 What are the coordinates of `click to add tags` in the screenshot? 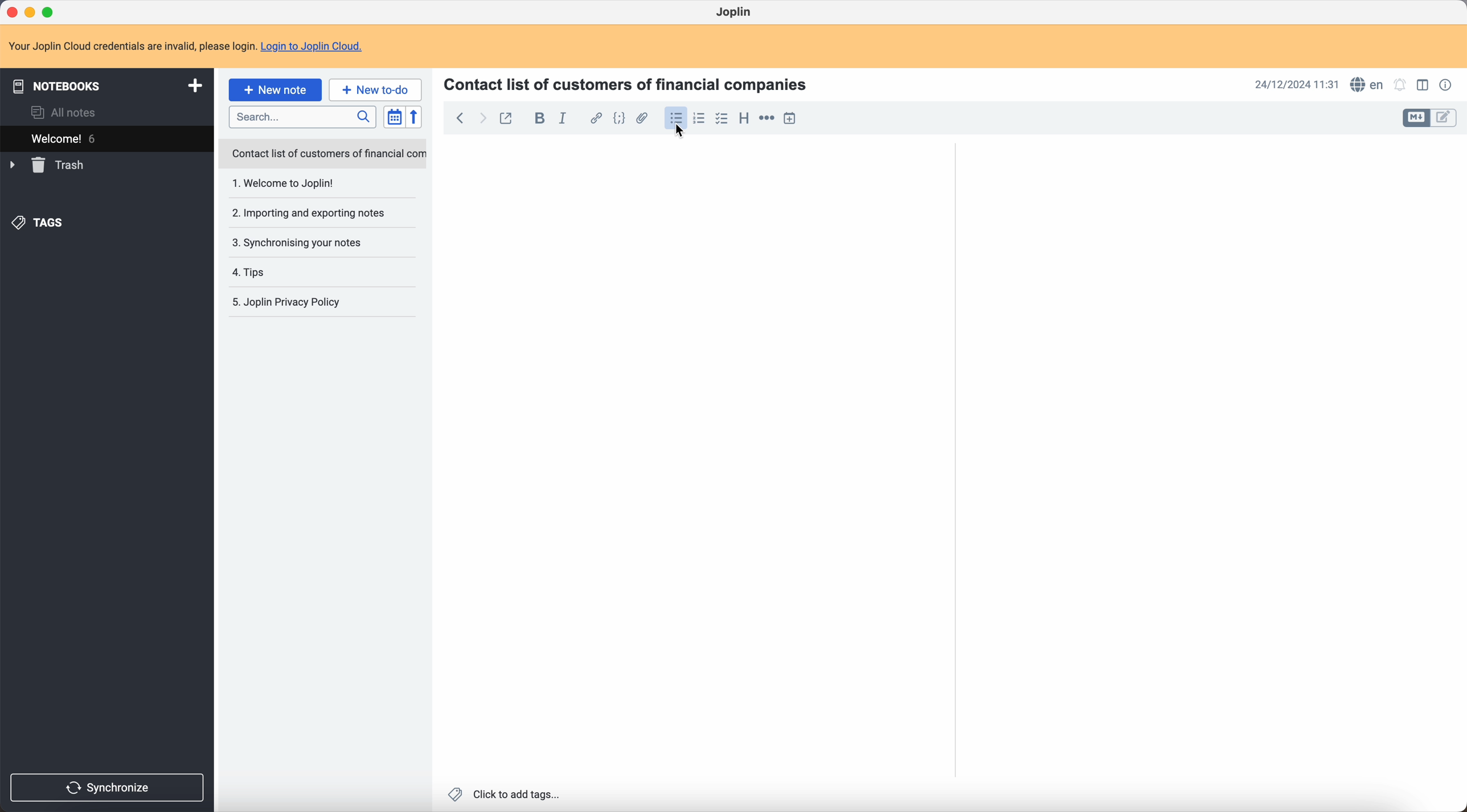 It's located at (503, 794).